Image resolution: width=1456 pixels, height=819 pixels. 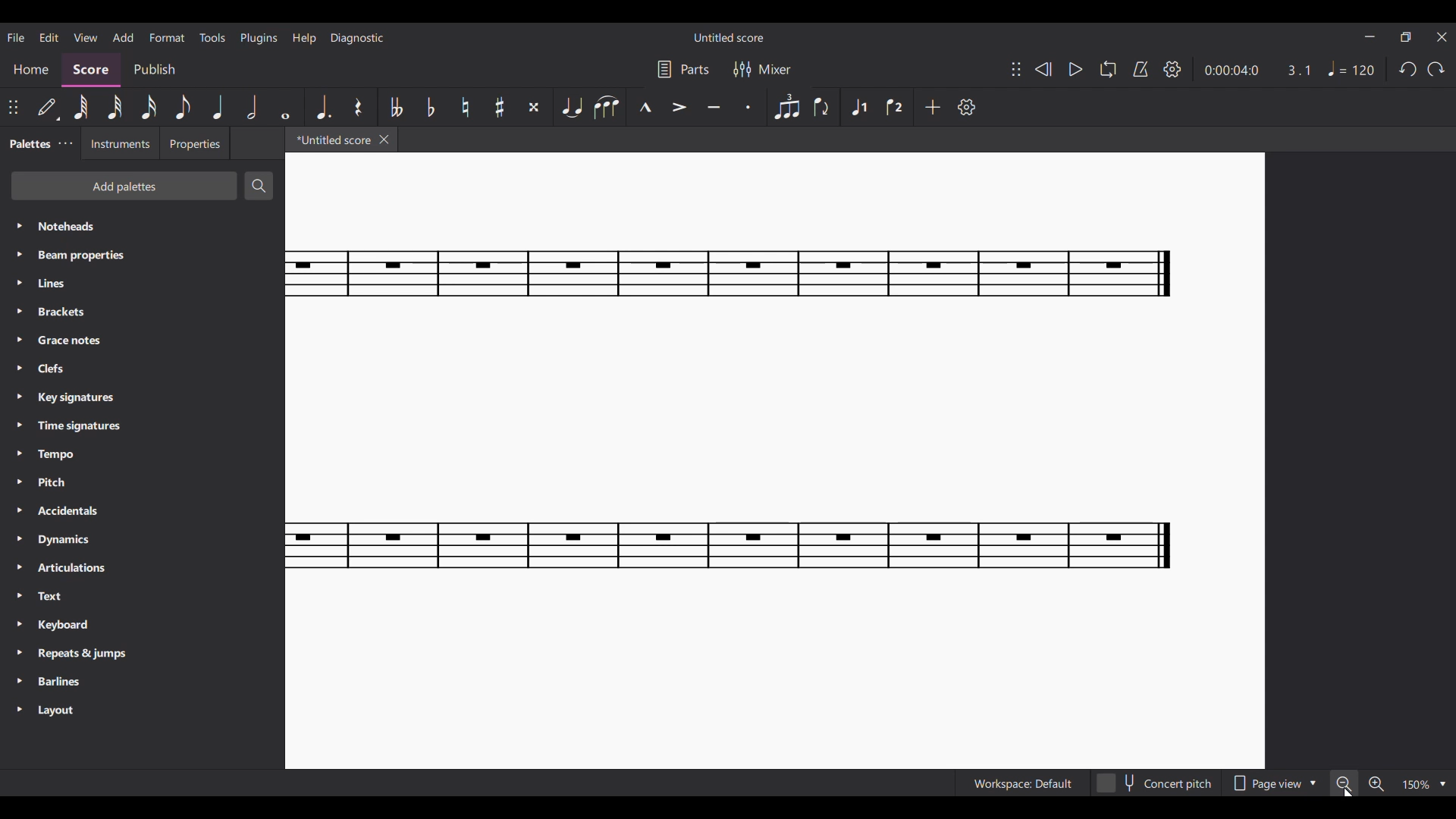 What do you see at coordinates (748, 107) in the screenshot?
I see `Staccato` at bounding box center [748, 107].